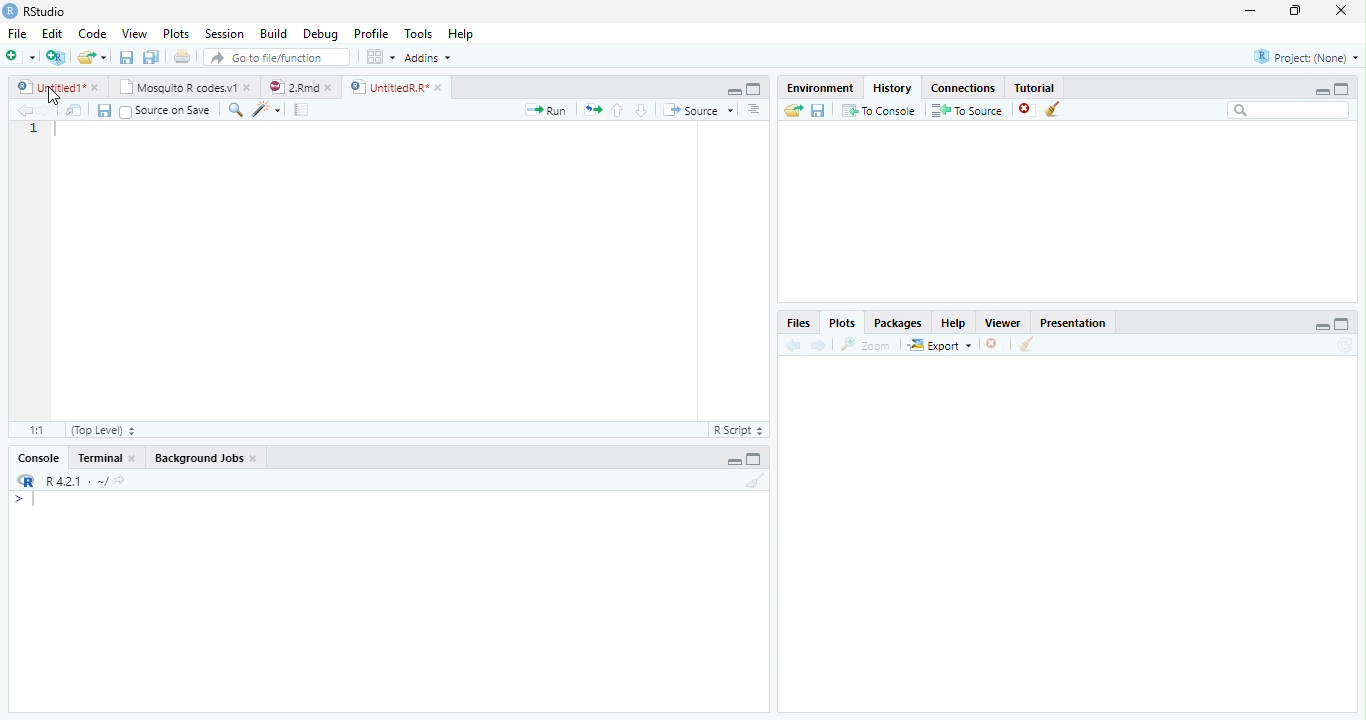 The image size is (1366, 720). What do you see at coordinates (1321, 93) in the screenshot?
I see `Minimize` at bounding box center [1321, 93].